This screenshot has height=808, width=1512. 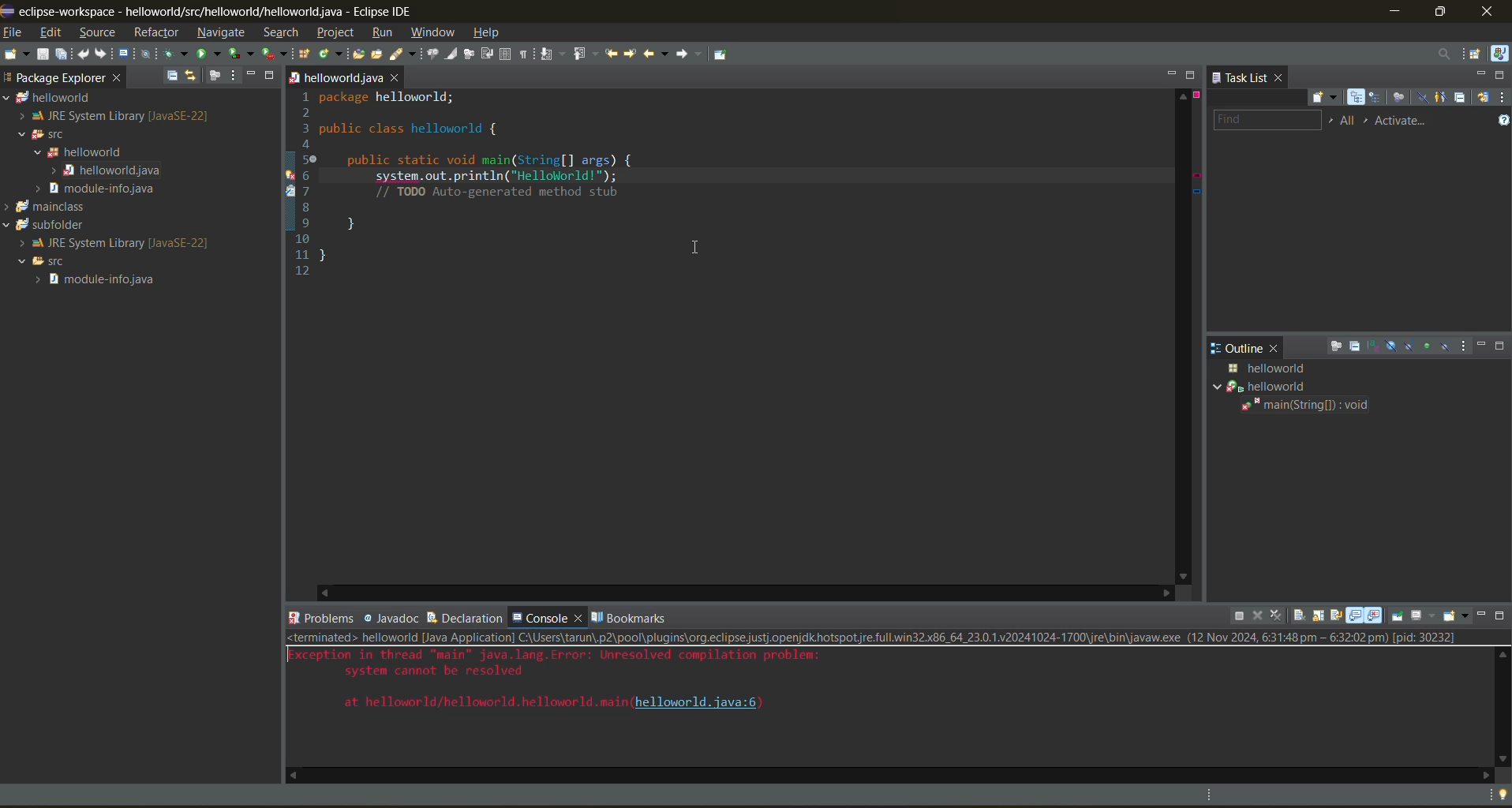 What do you see at coordinates (1395, 12) in the screenshot?
I see `minimize` at bounding box center [1395, 12].